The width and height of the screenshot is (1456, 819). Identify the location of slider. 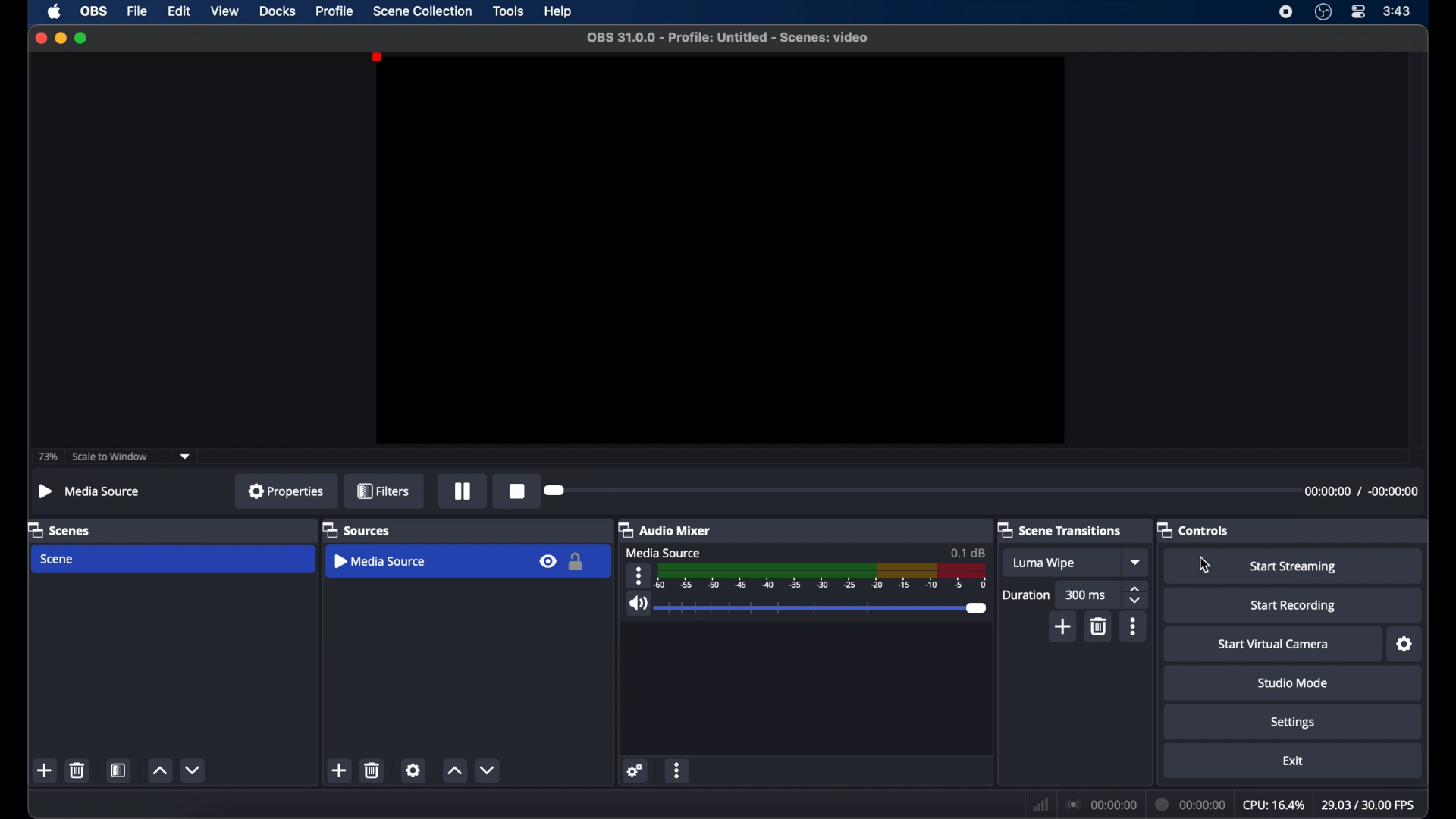
(828, 609).